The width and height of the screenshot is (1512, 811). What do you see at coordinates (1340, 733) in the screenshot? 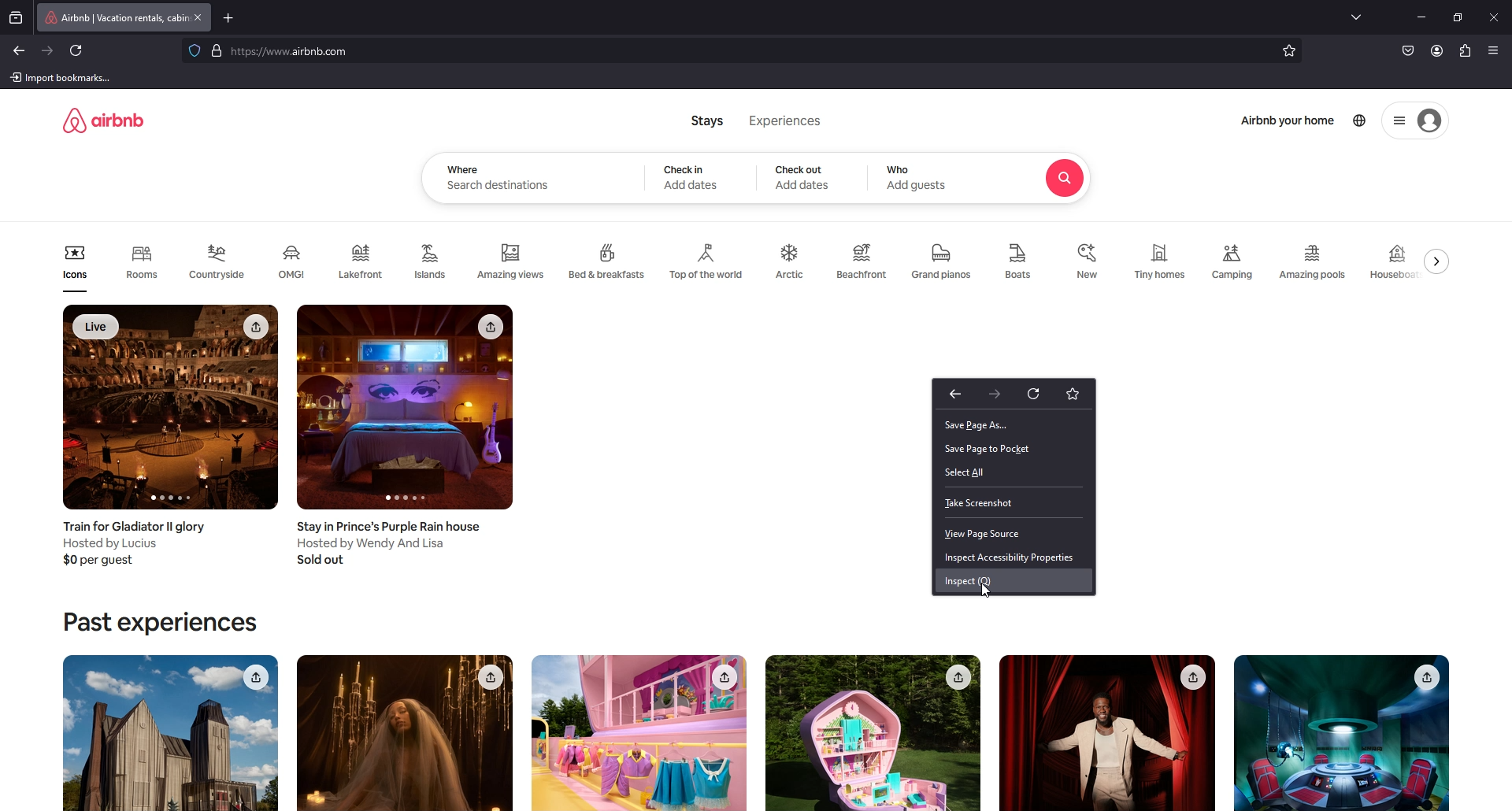
I see `image` at bounding box center [1340, 733].